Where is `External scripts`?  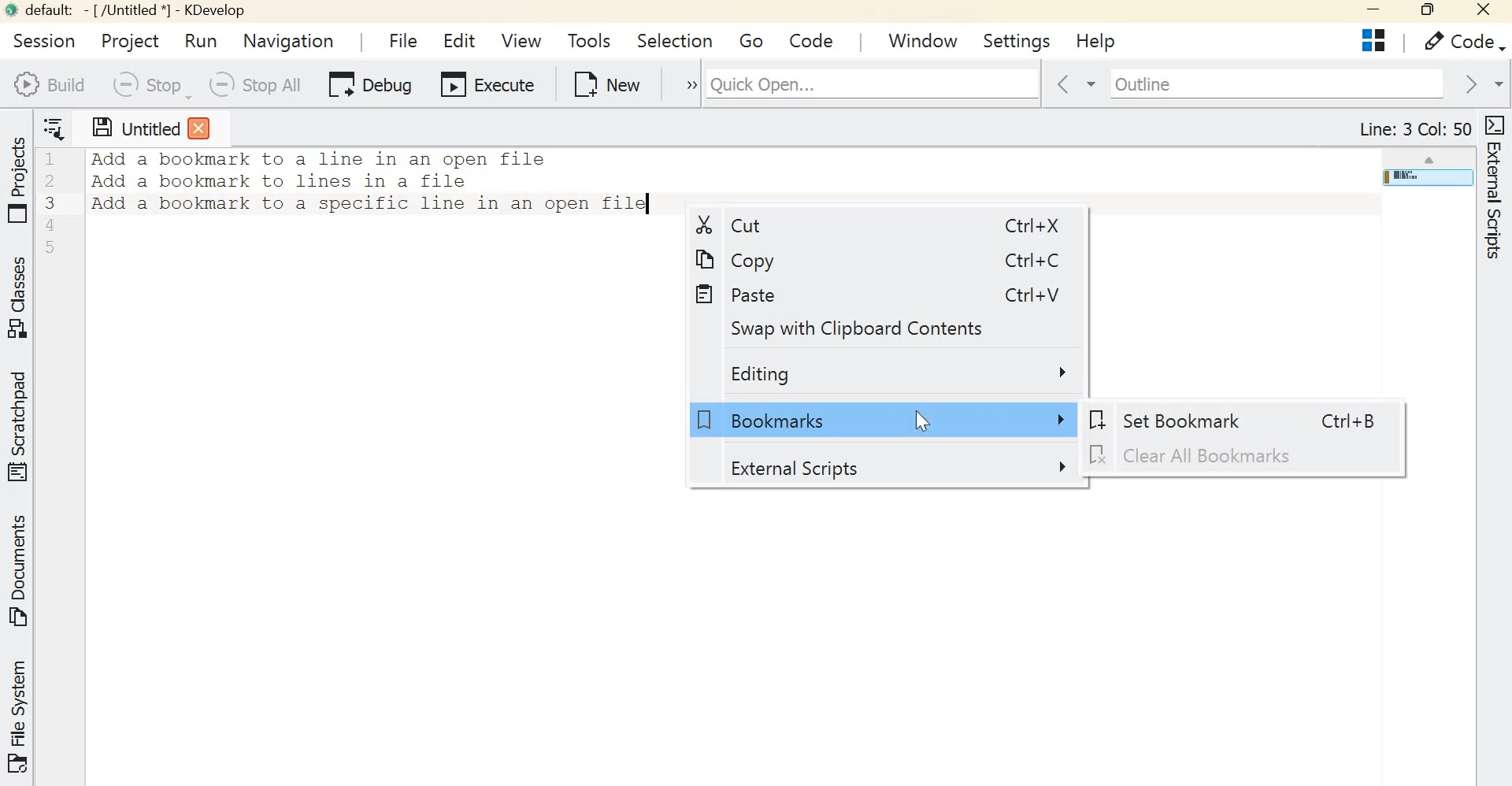
External scripts is located at coordinates (895, 467).